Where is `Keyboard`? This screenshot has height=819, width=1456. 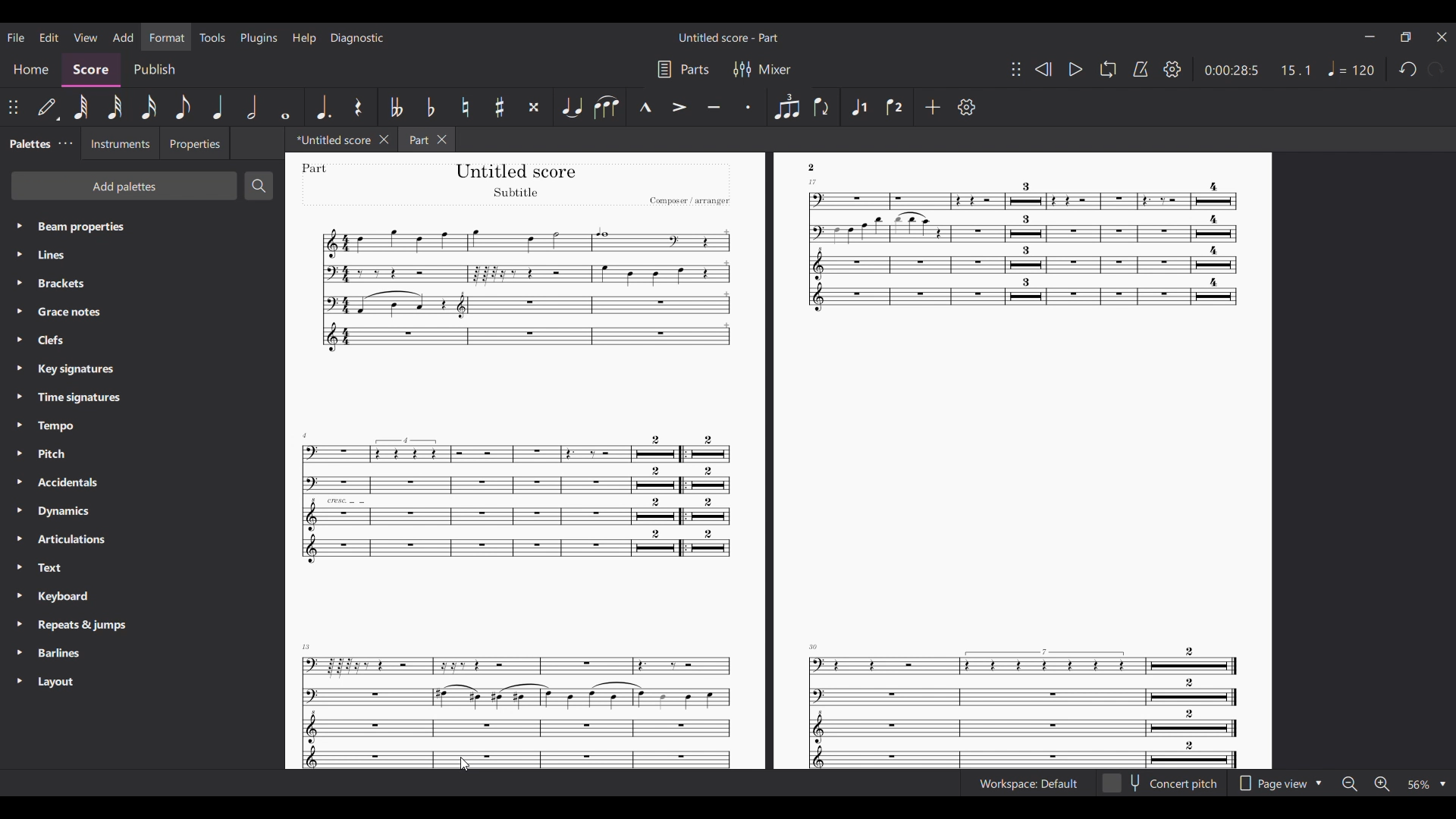 Keyboard is located at coordinates (66, 597).